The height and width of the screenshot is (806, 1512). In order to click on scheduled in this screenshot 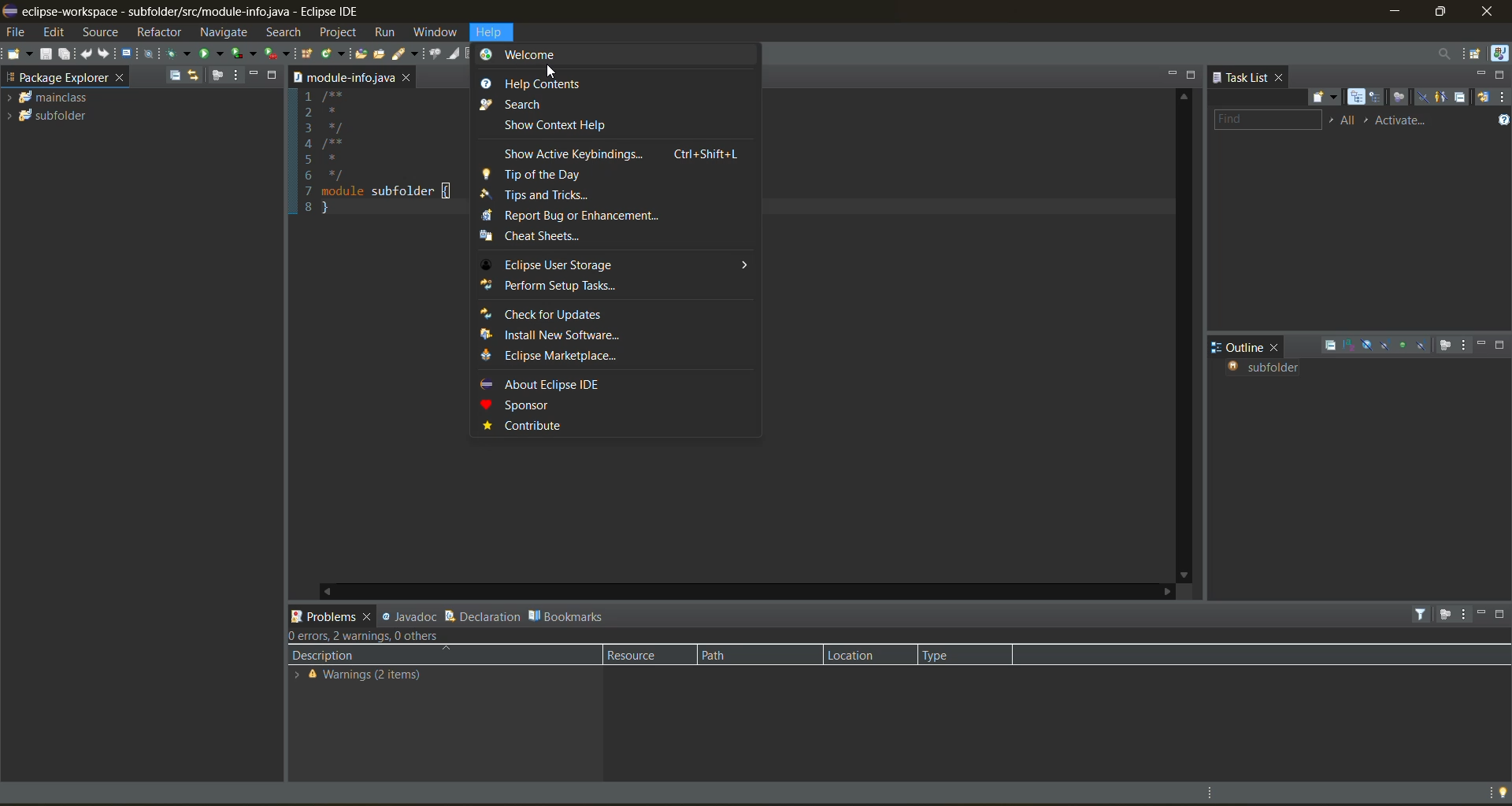, I will do `click(1377, 99)`.